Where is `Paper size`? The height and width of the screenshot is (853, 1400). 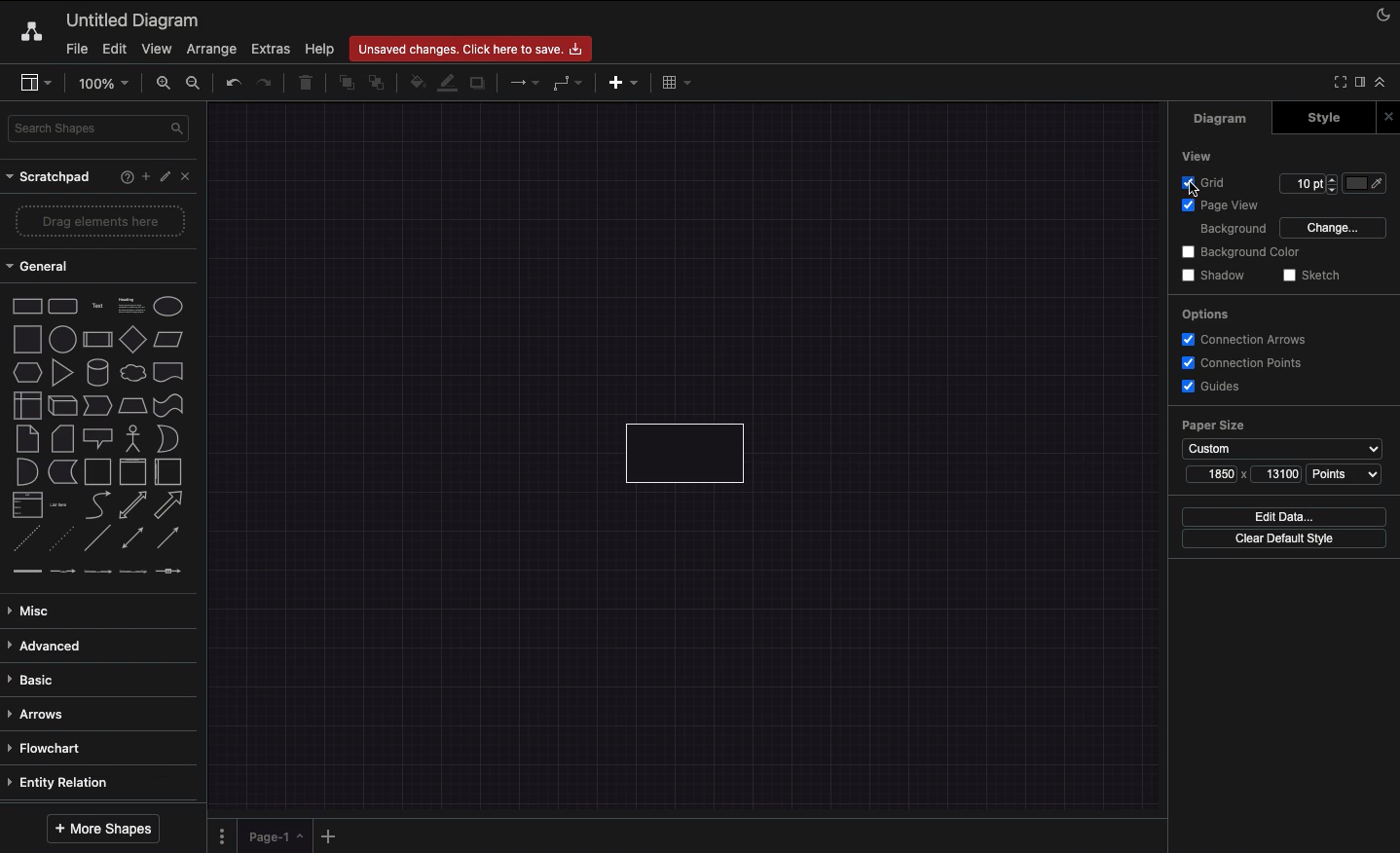 Paper size is located at coordinates (1284, 439).